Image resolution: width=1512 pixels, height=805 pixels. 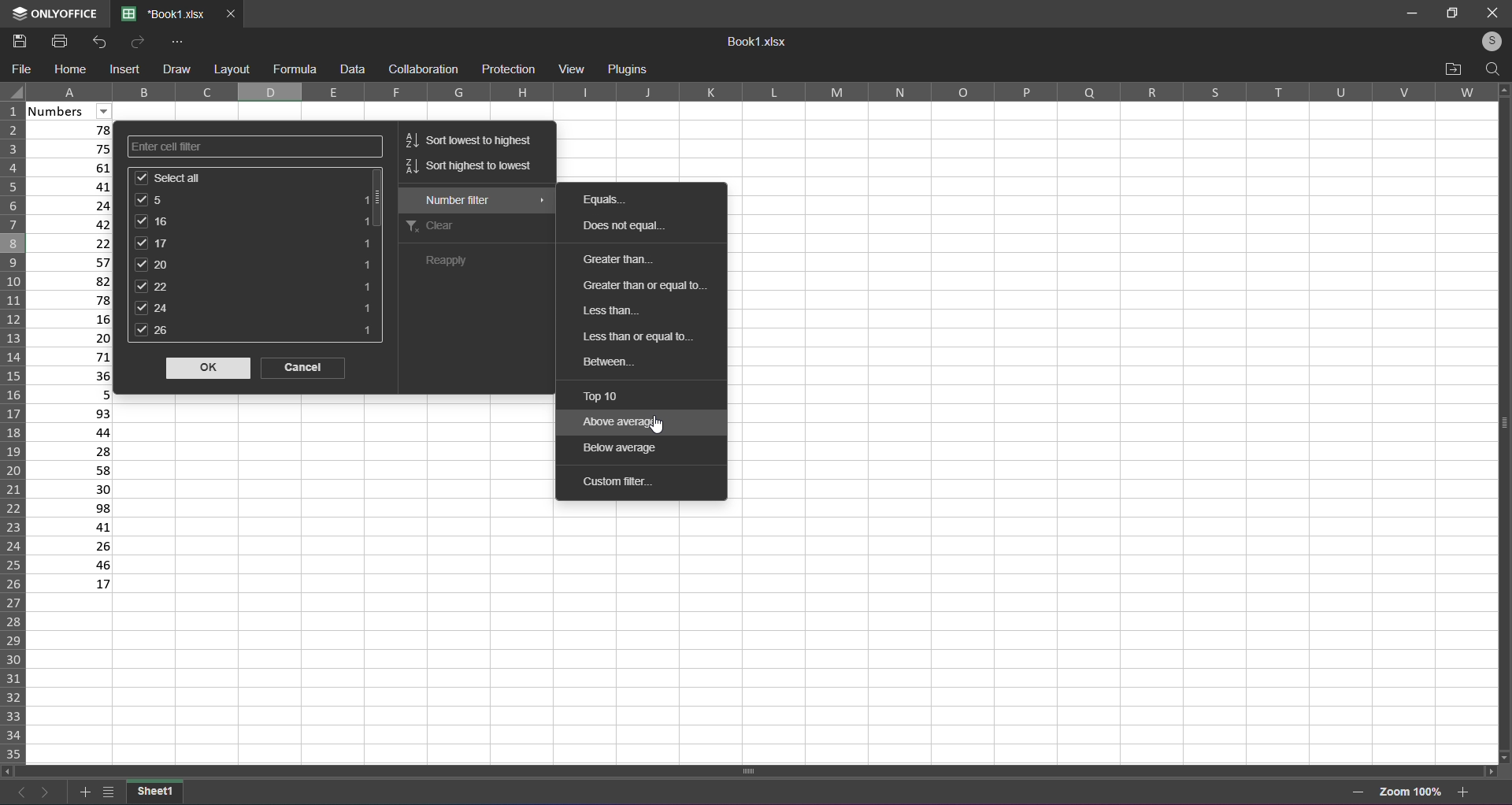 I want to click on cancel, so click(x=306, y=369).